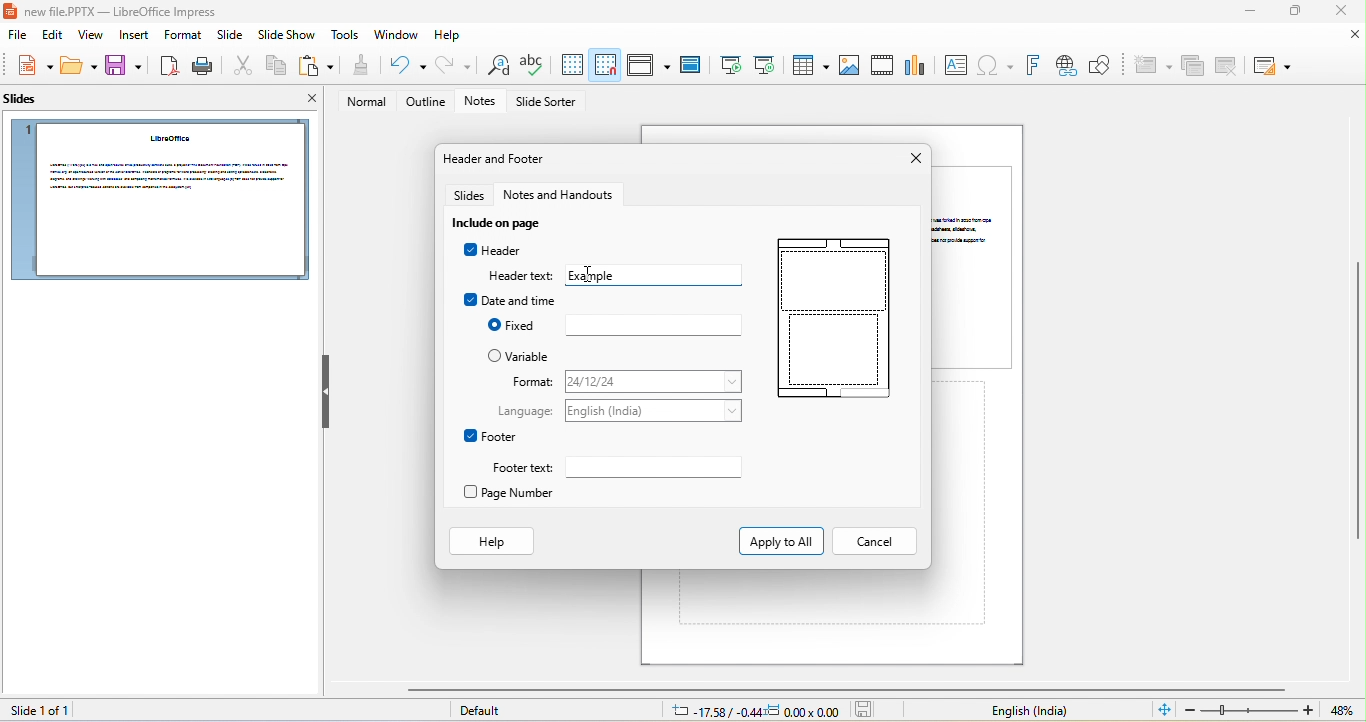  I want to click on new, so click(30, 66).